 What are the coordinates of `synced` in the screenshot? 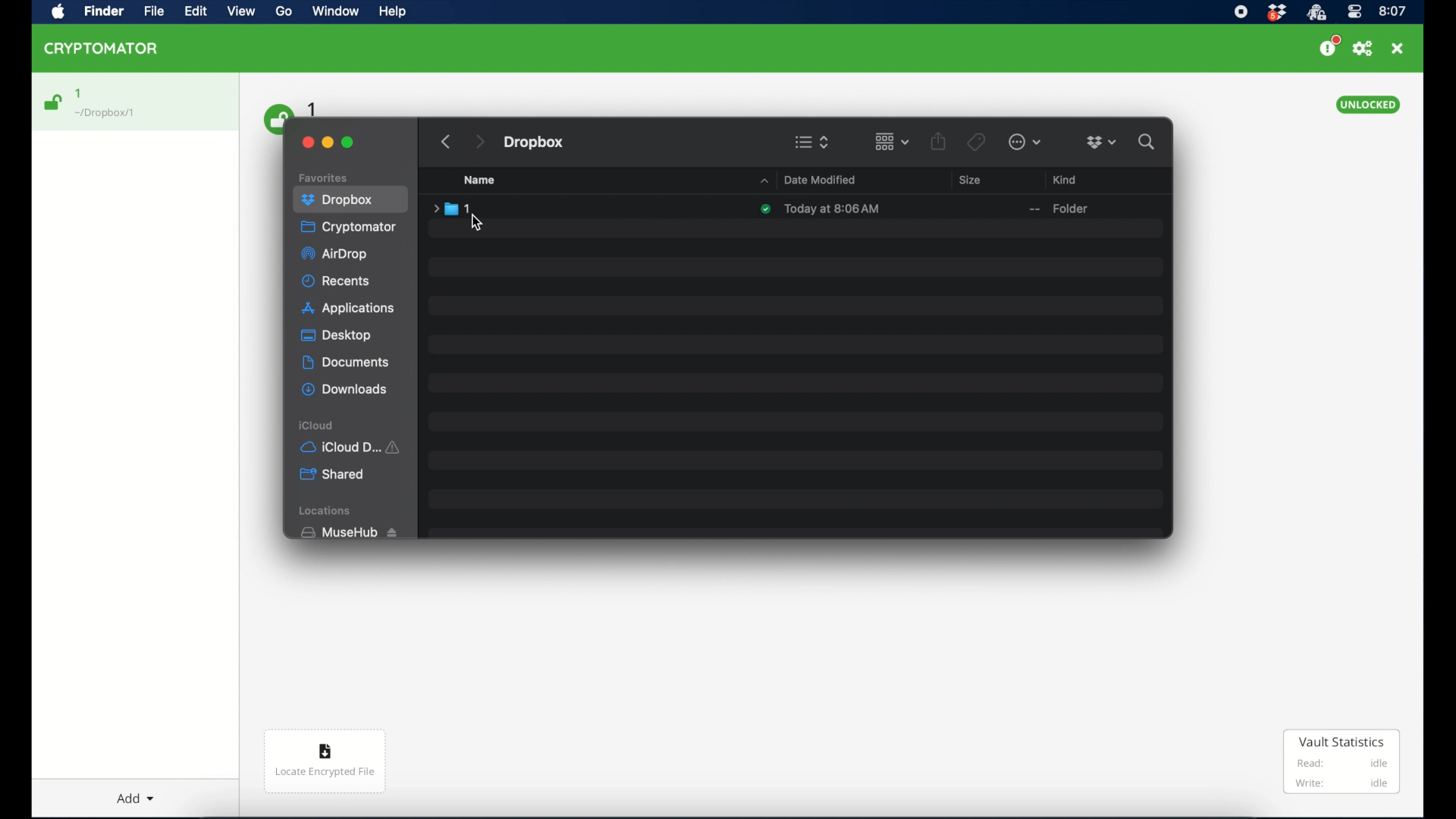 It's located at (765, 209).